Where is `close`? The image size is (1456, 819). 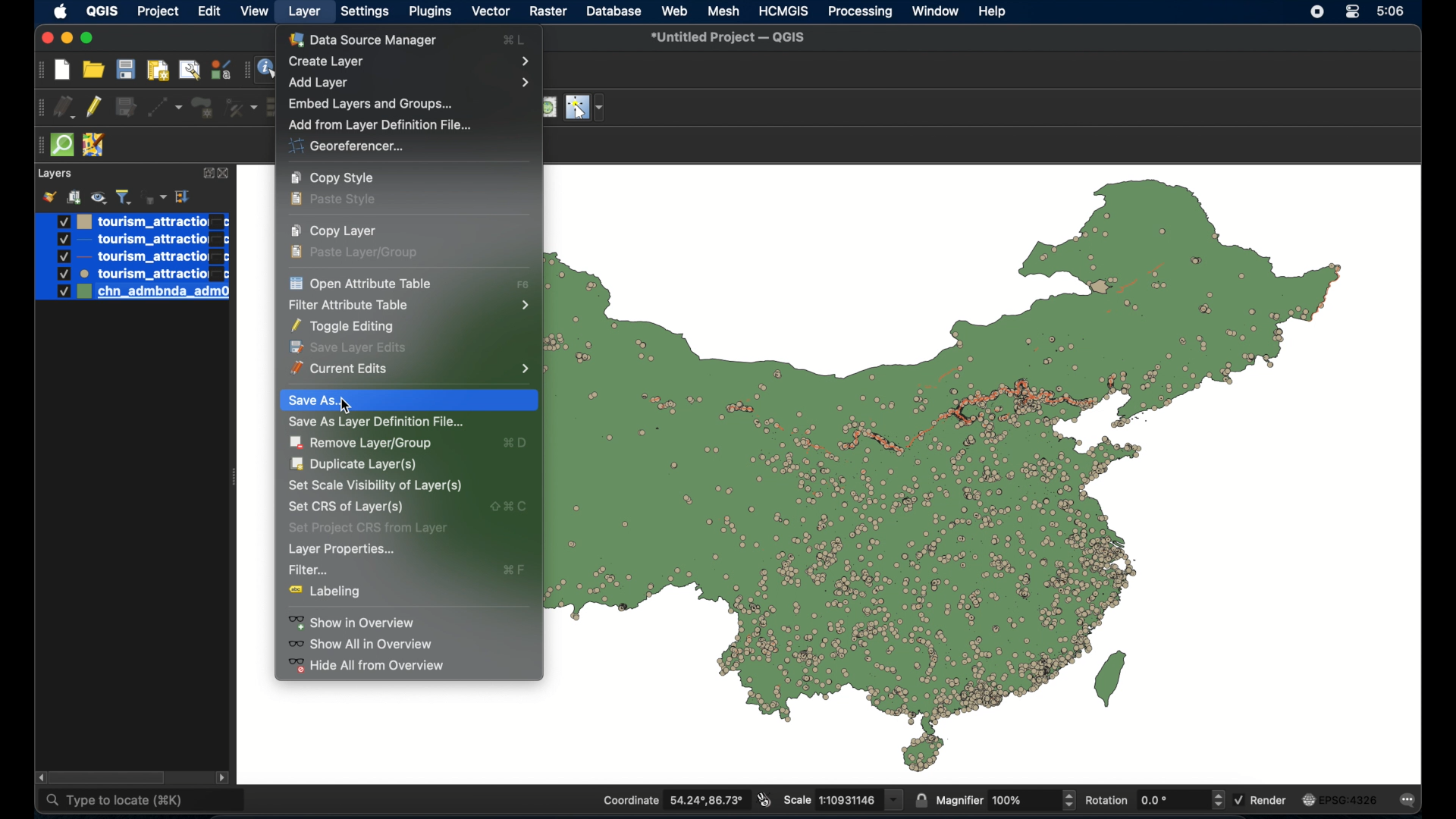 close is located at coordinates (45, 38).